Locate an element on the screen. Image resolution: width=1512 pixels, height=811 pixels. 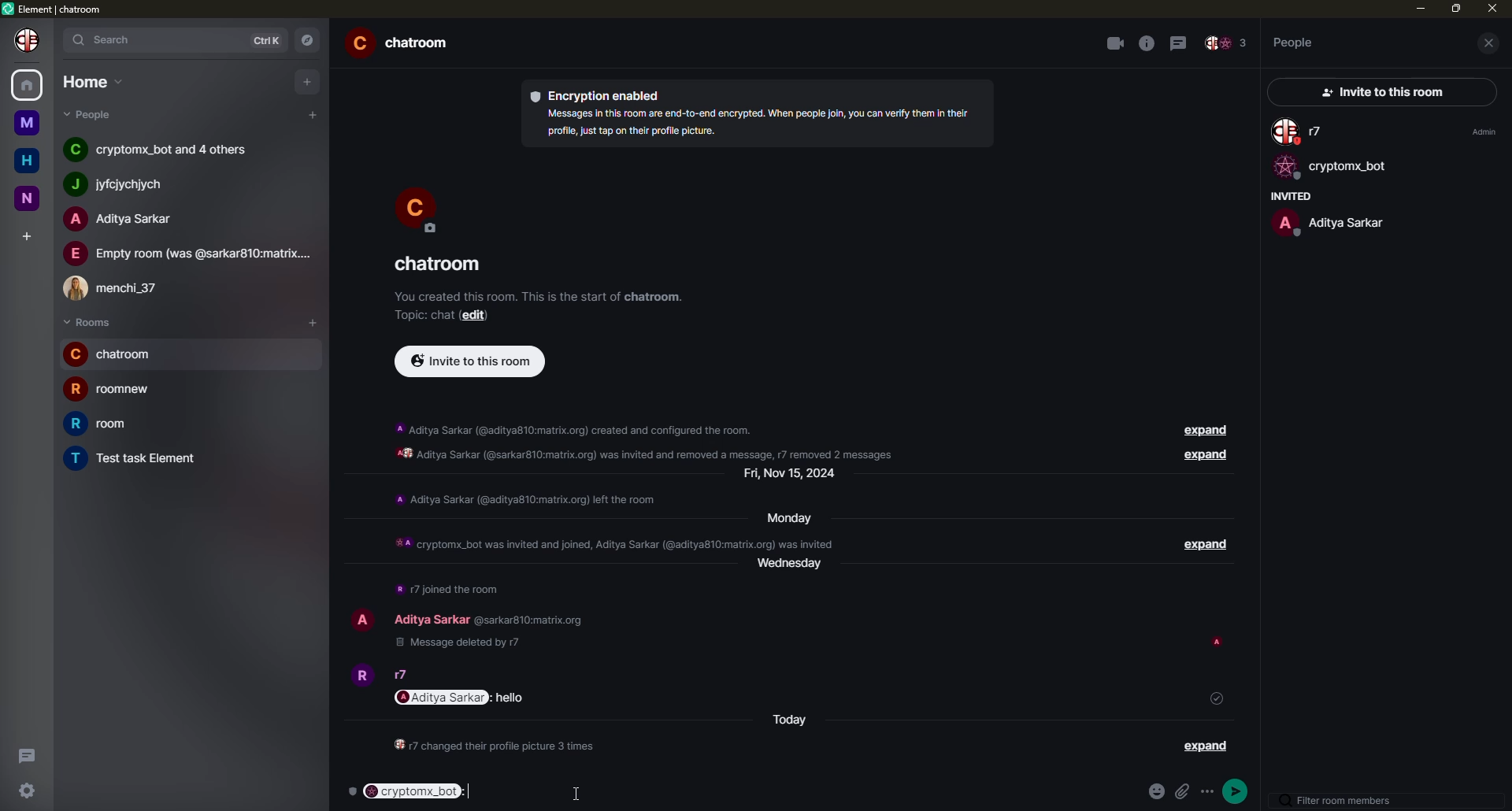
room is located at coordinates (137, 459).